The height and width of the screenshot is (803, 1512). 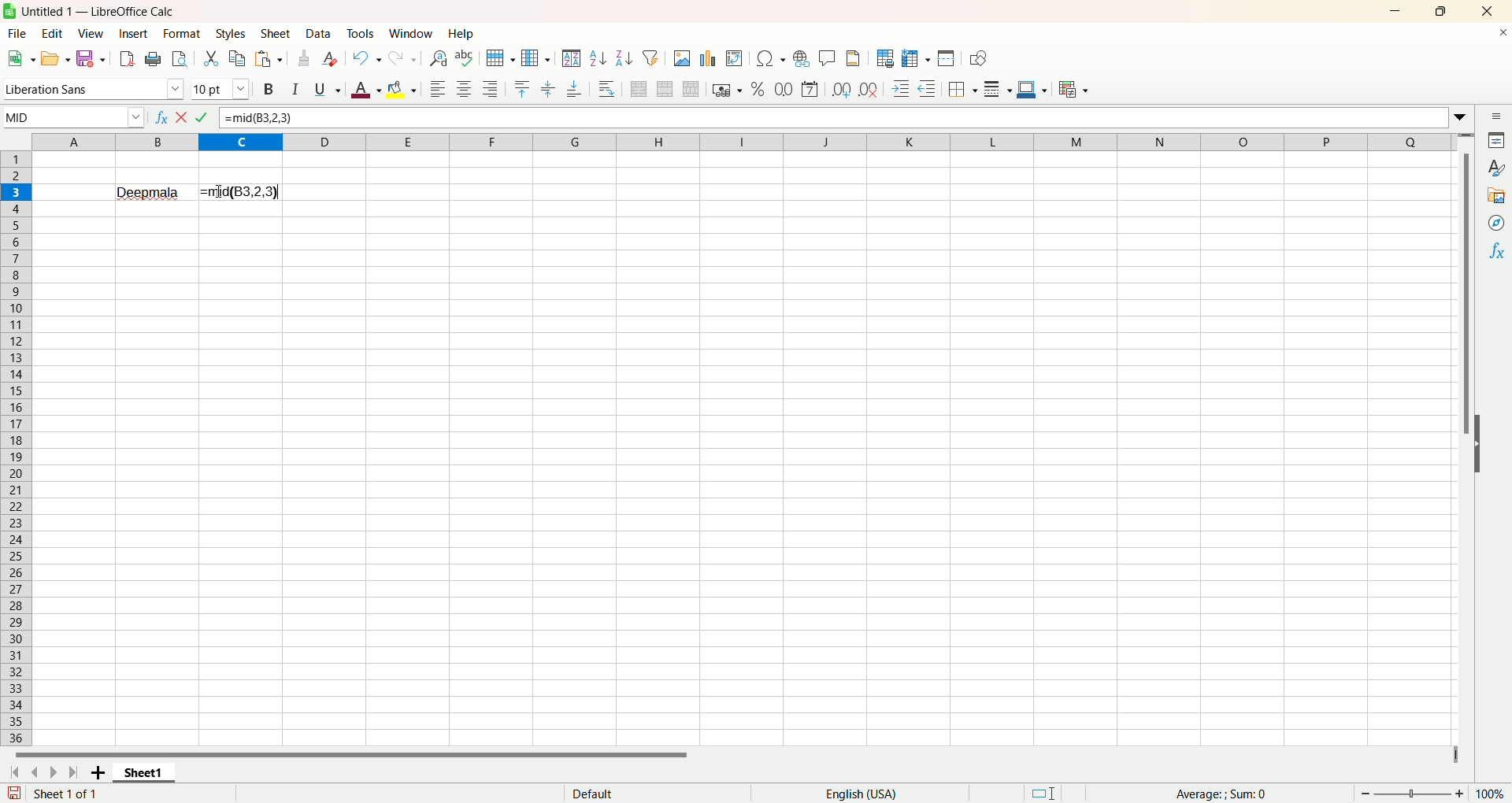 What do you see at coordinates (238, 59) in the screenshot?
I see `Copy` at bounding box center [238, 59].